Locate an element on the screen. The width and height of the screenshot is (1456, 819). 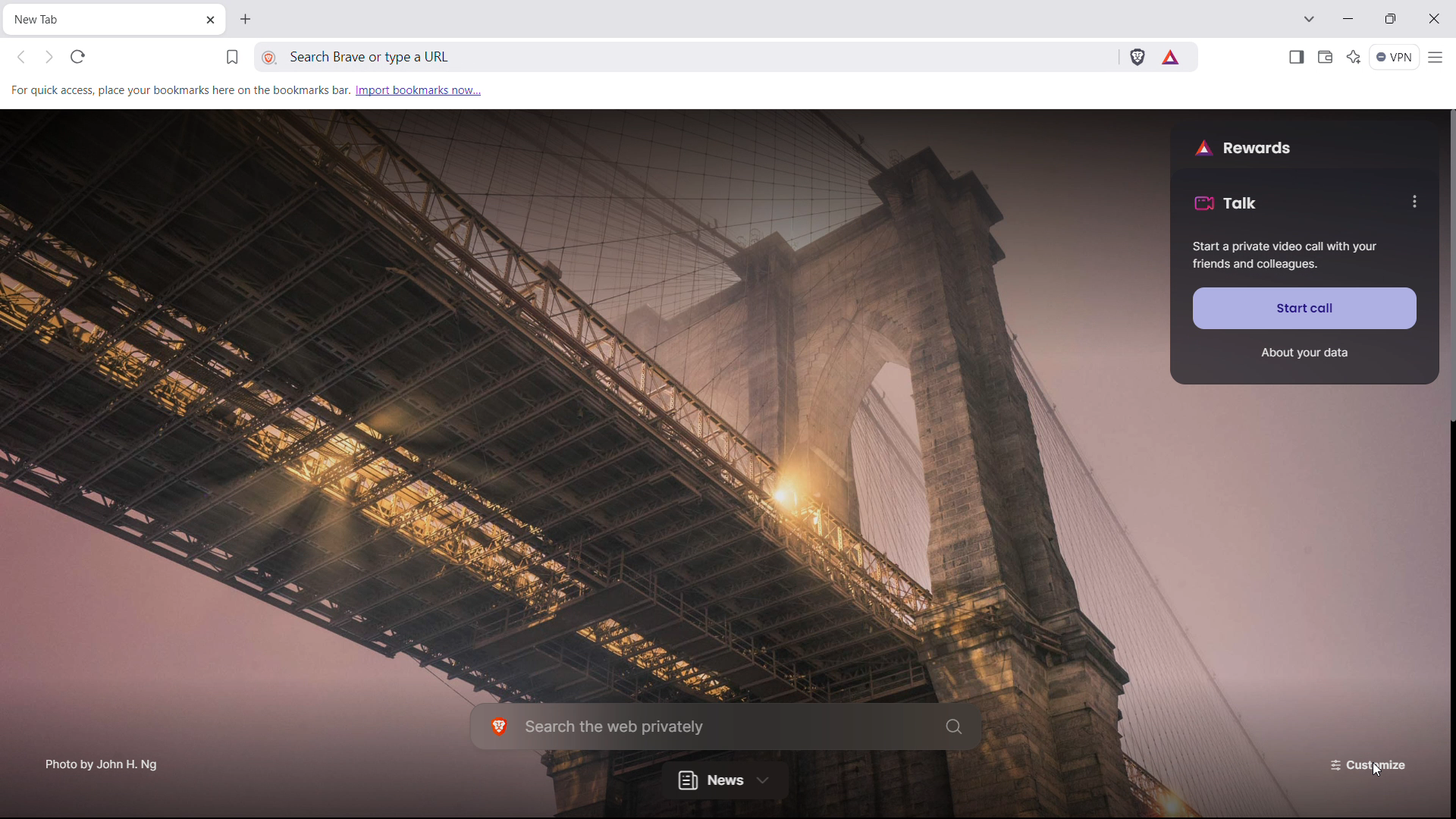
click to go forward hold to see history  is located at coordinates (49, 56).